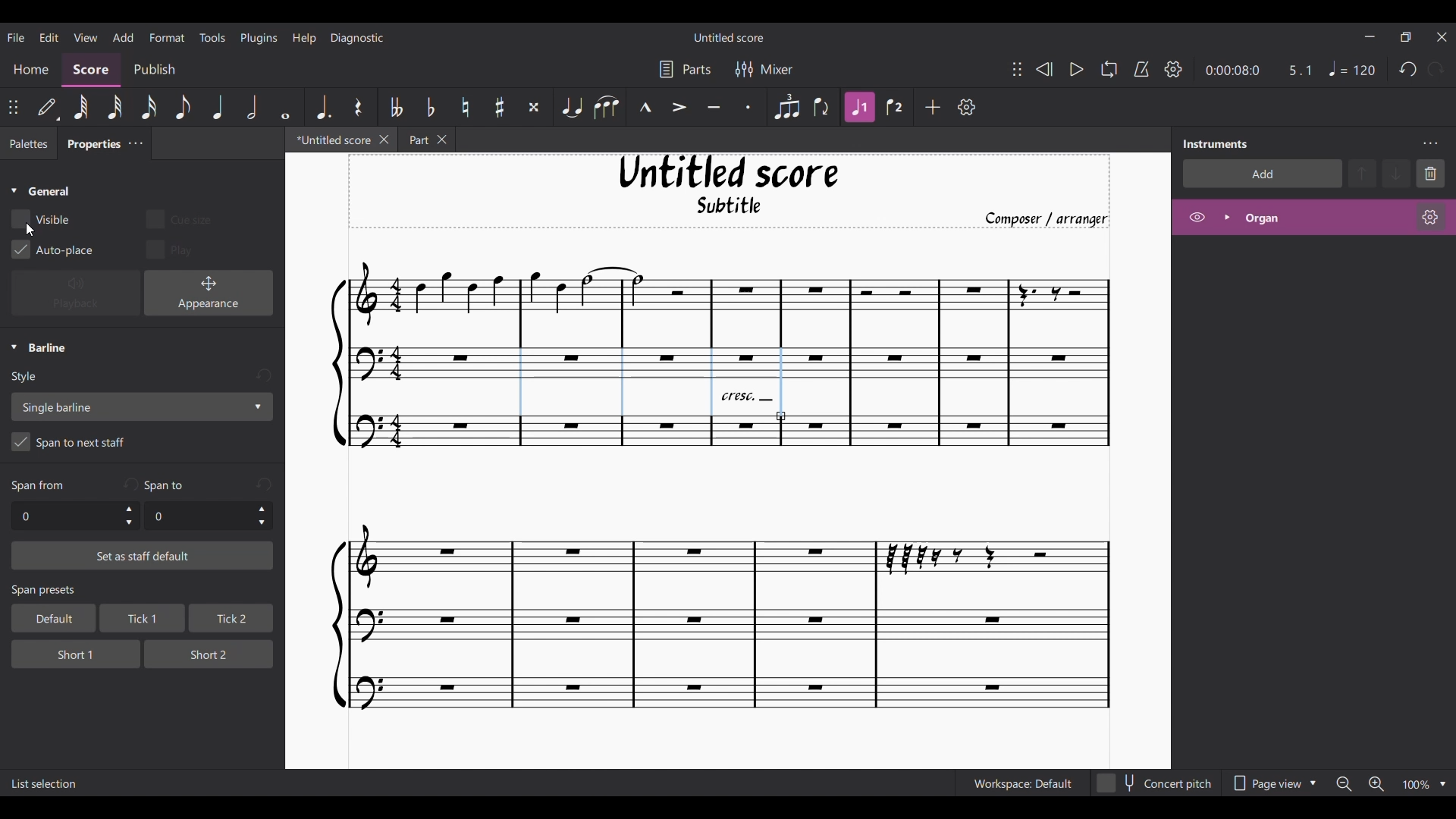  What do you see at coordinates (394, 107) in the screenshot?
I see `Toggle double flat` at bounding box center [394, 107].